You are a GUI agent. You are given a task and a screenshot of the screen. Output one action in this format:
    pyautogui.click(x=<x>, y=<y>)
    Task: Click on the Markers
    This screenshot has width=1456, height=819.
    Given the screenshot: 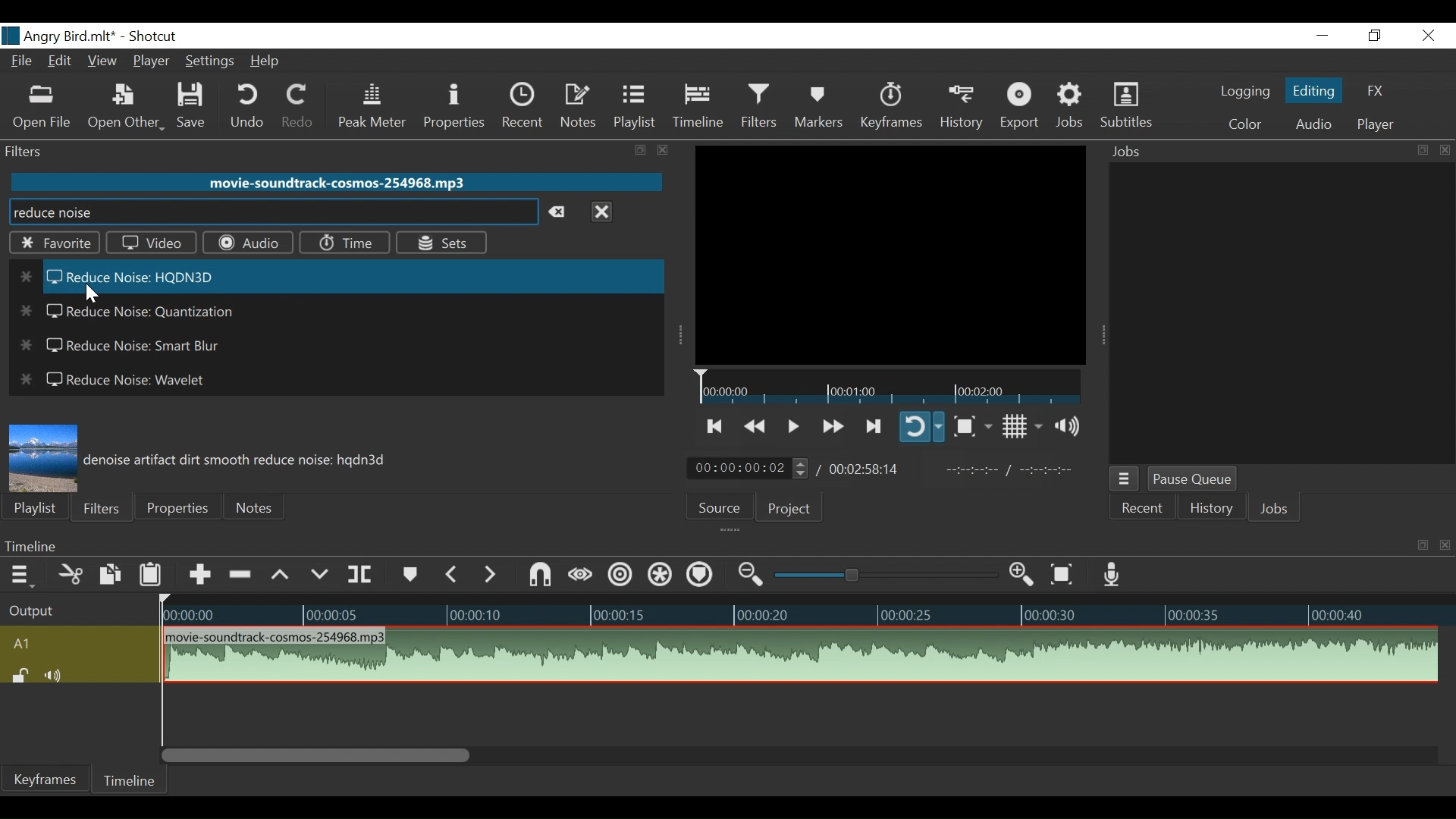 What is the action you would take?
    pyautogui.click(x=818, y=105)
    